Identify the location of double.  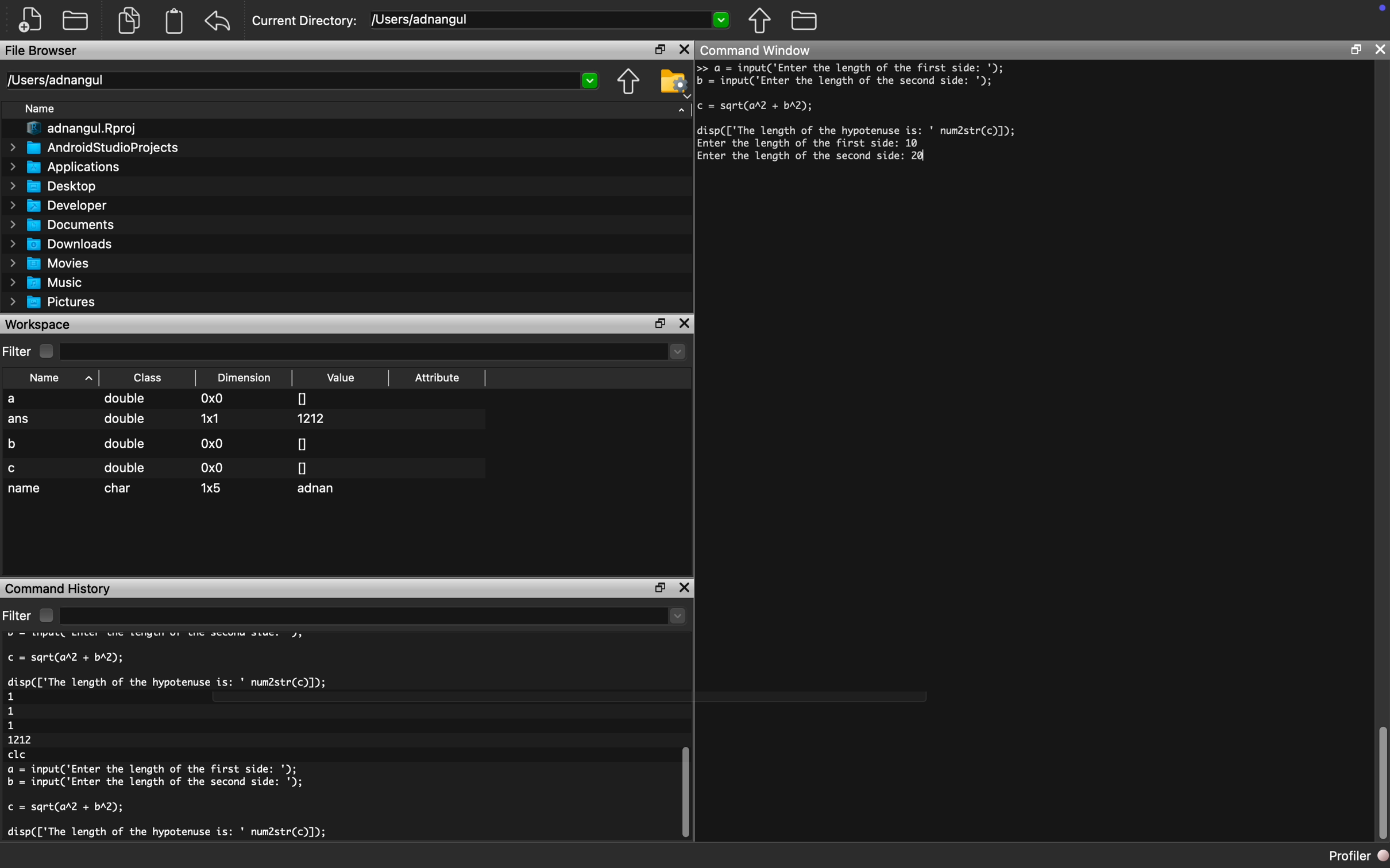
(123, 423).